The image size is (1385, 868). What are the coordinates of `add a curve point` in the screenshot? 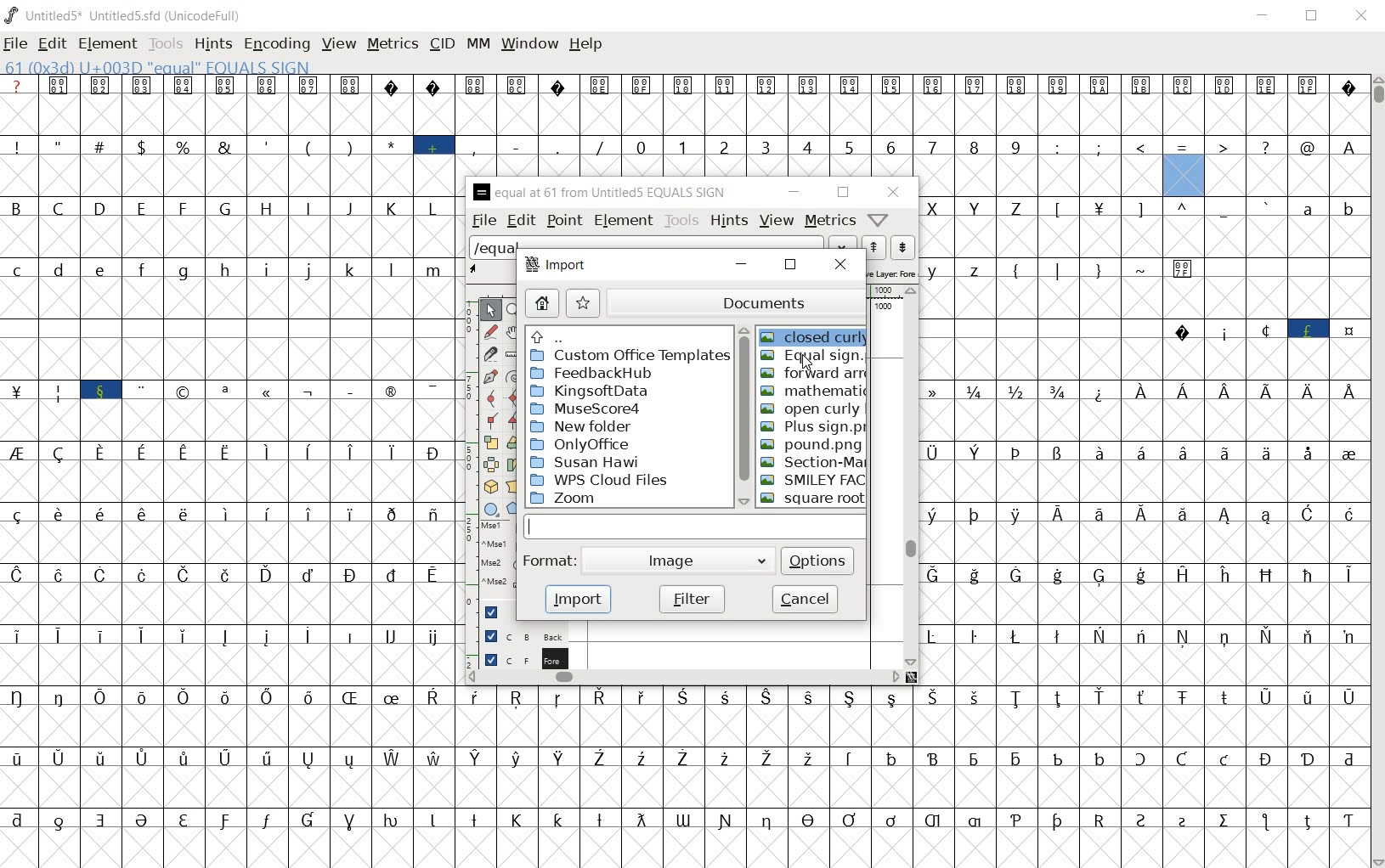 It's located at (490, 398).